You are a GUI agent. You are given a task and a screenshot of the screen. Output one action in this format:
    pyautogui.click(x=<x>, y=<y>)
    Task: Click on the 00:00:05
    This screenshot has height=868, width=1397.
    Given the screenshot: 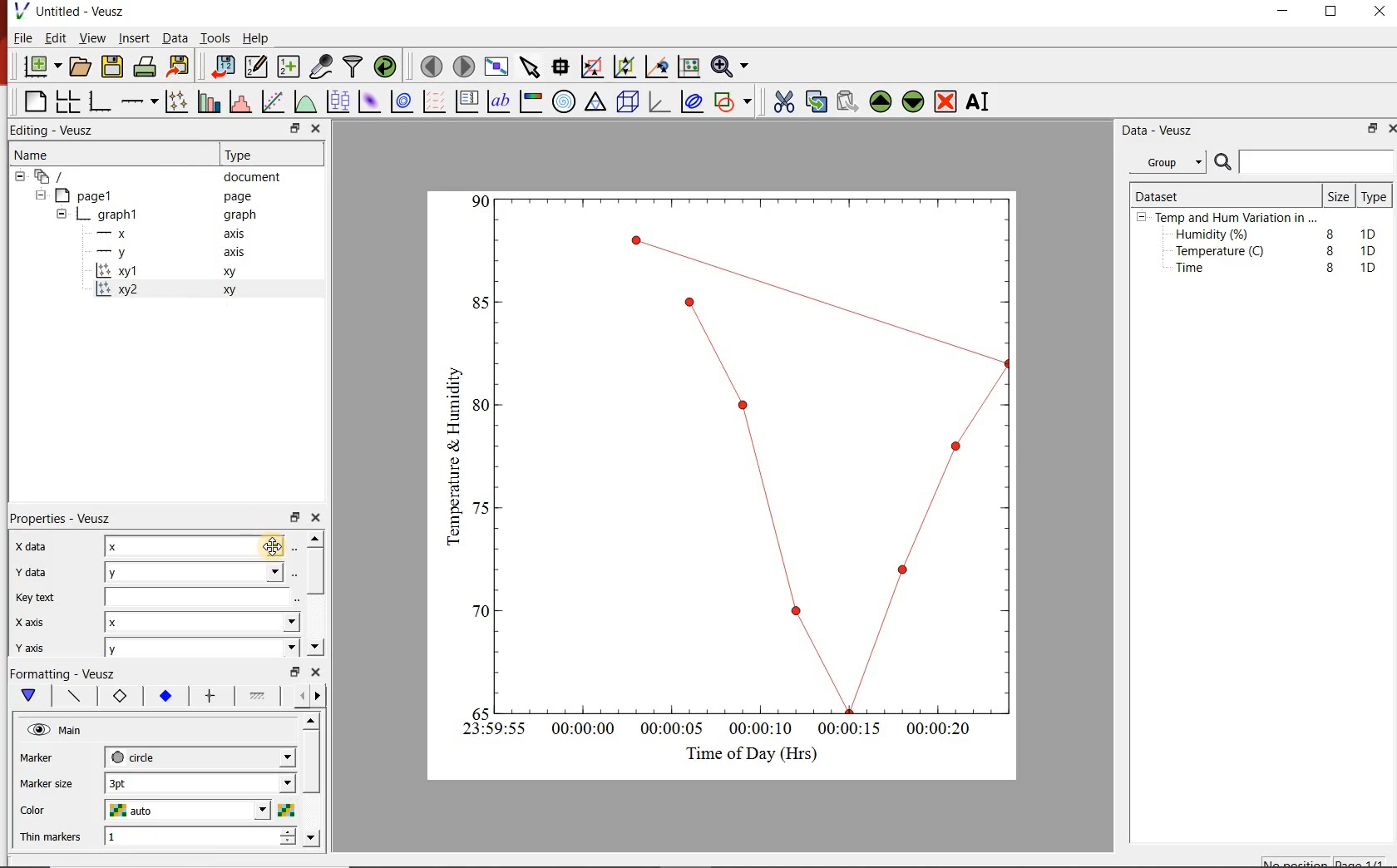 What is the action you would take?
    pyautogui.click(x=667, y=732)
    